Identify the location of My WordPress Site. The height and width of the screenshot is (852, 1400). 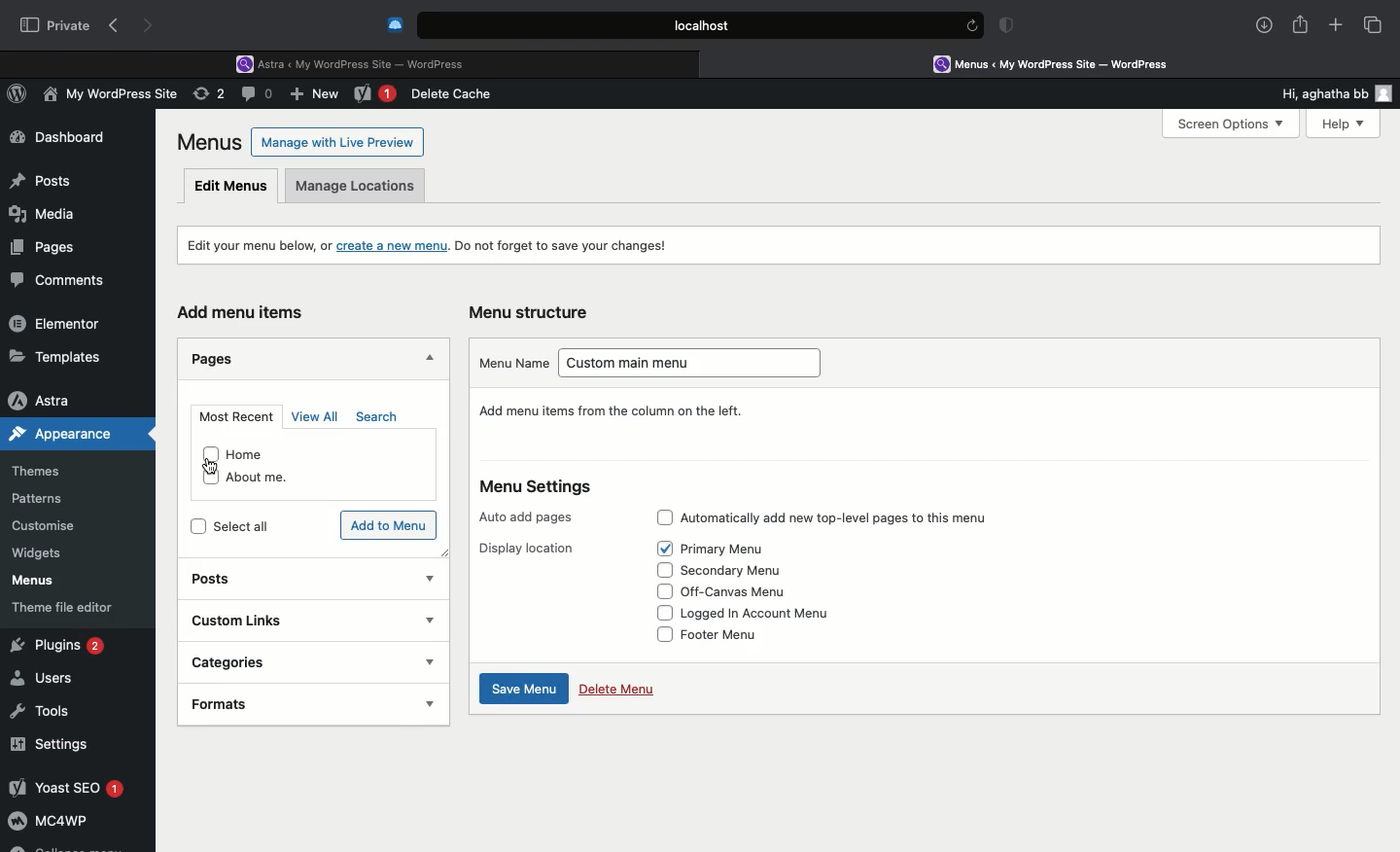
(107, 97).